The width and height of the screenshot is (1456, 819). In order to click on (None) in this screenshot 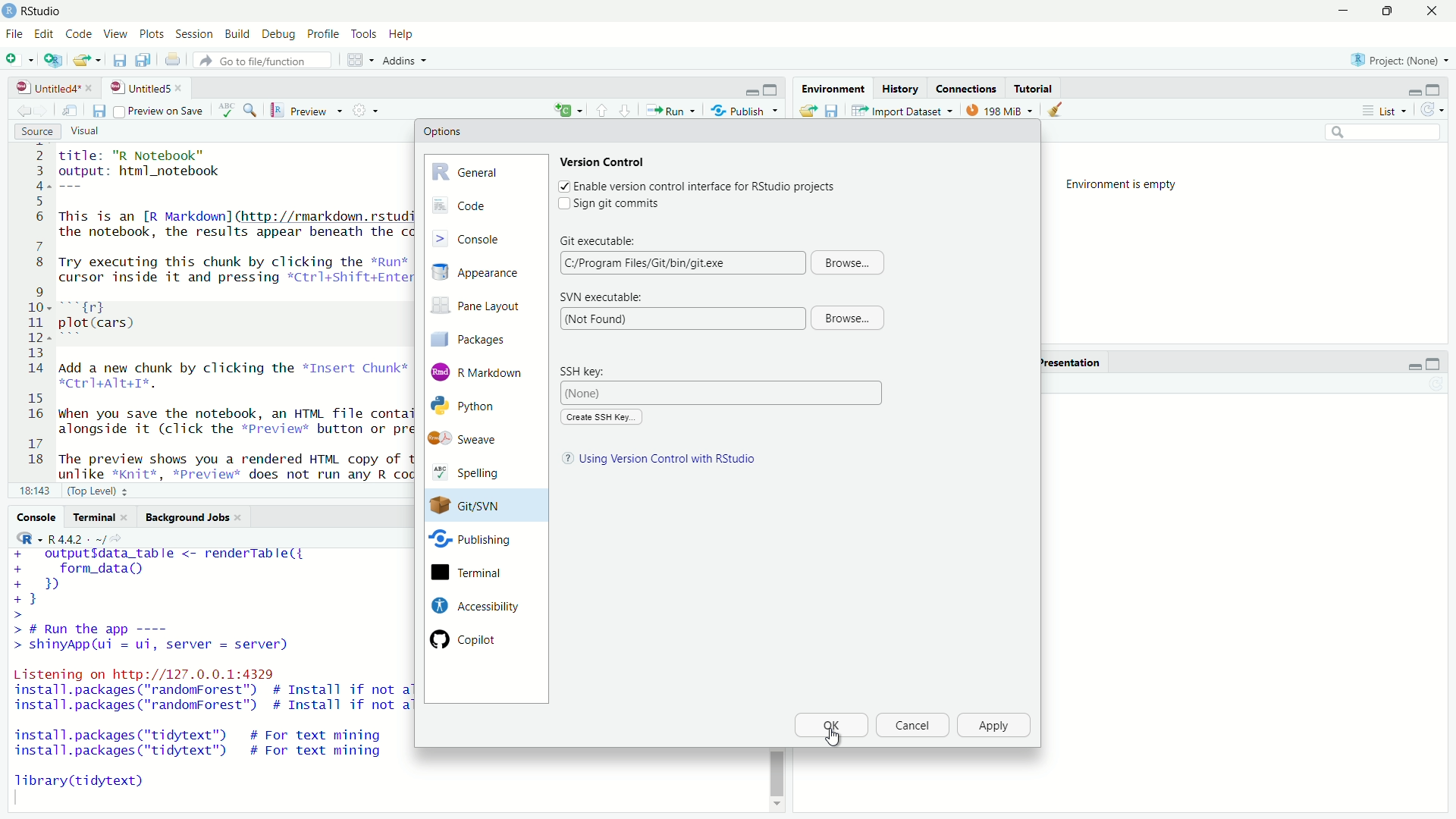, I will do `click(723, 393)`.